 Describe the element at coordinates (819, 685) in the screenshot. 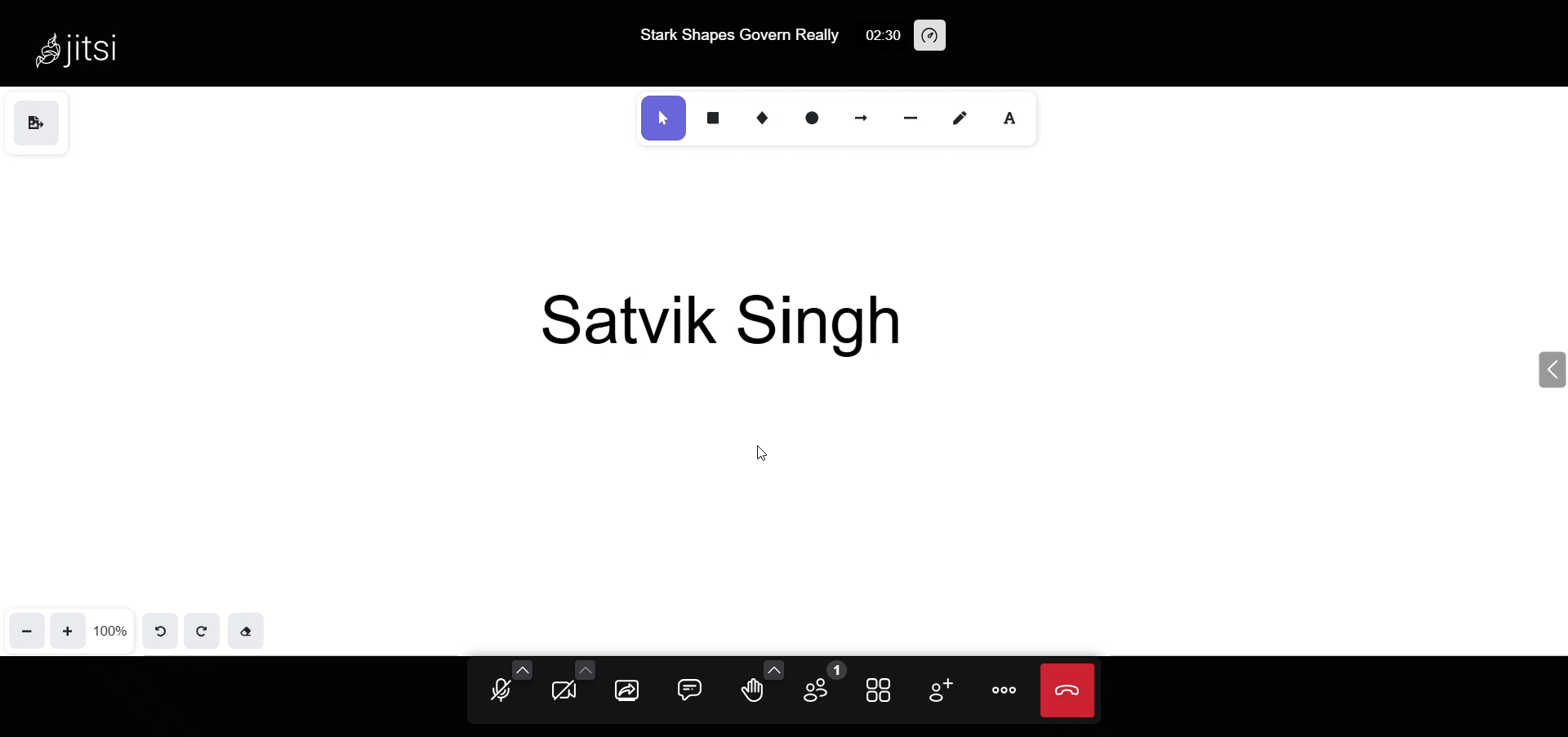

I see `participant` at that location.